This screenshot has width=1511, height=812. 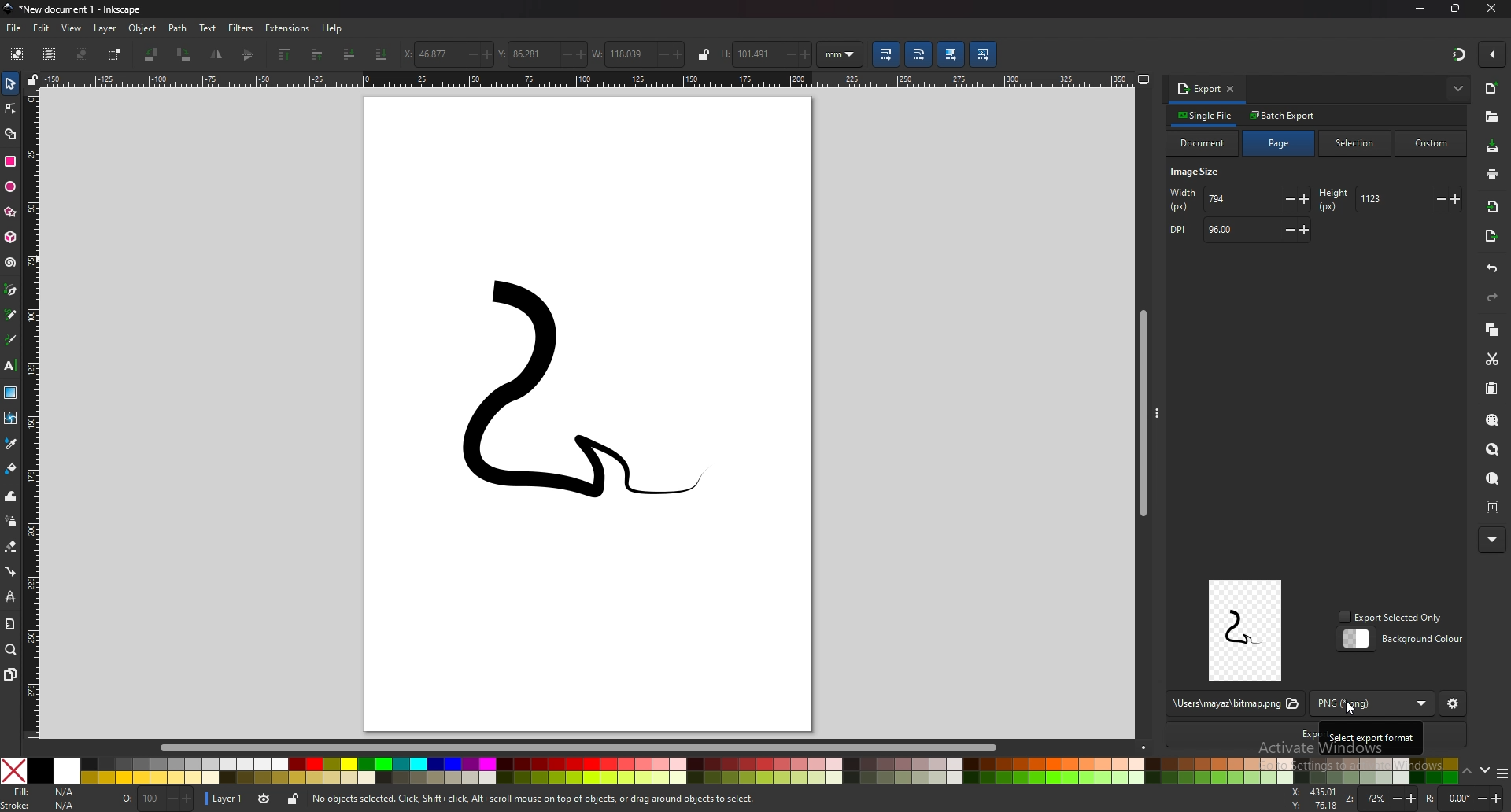 What do you see at coordinates (34, 79) in the screenshot?
I see `lock guides` at bounding box center [34, 79].